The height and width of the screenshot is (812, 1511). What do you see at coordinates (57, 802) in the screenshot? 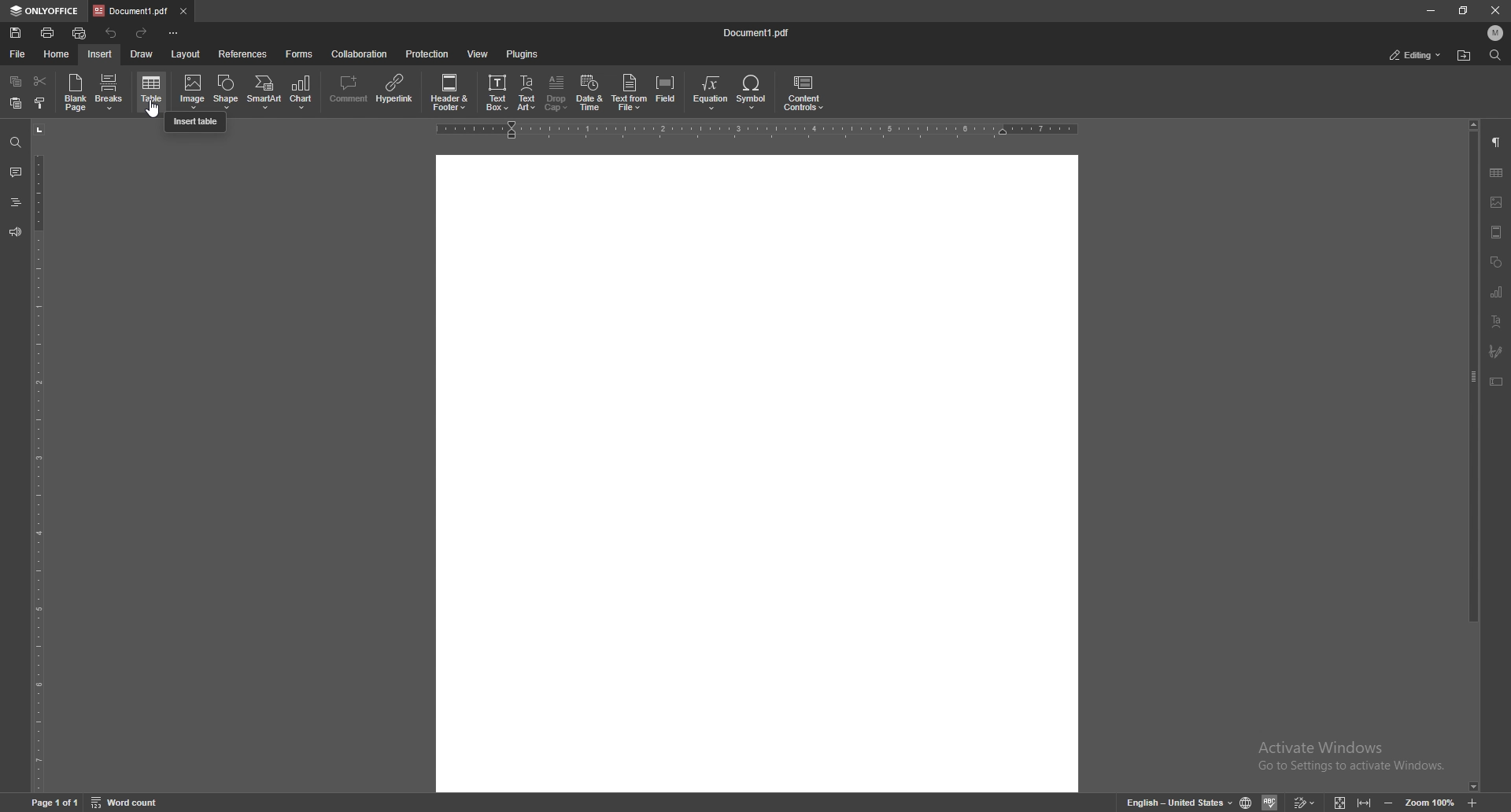
I see `page` at bounding box center [57, 802].